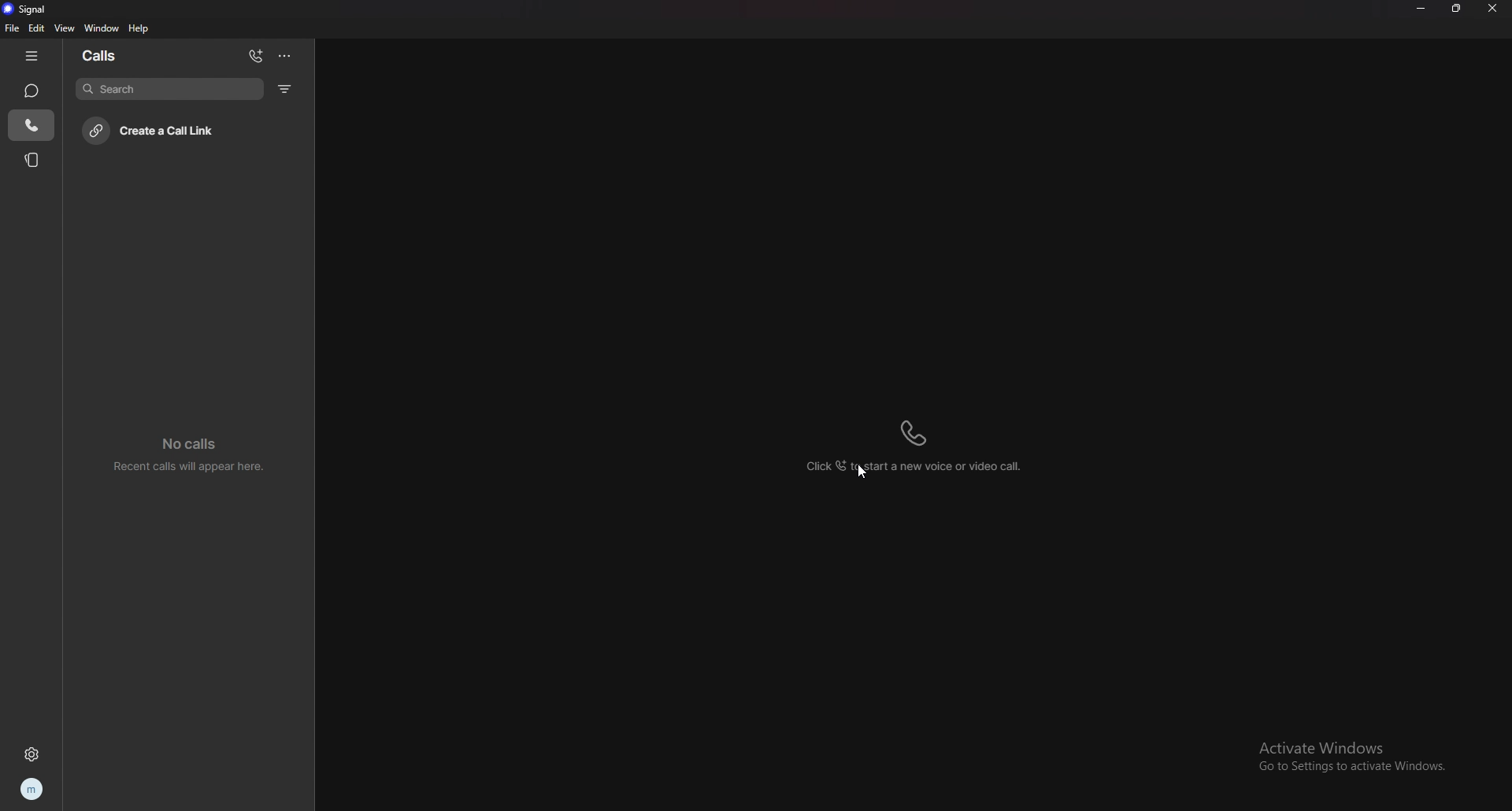  I want to click on resize, so click(1458, 8).